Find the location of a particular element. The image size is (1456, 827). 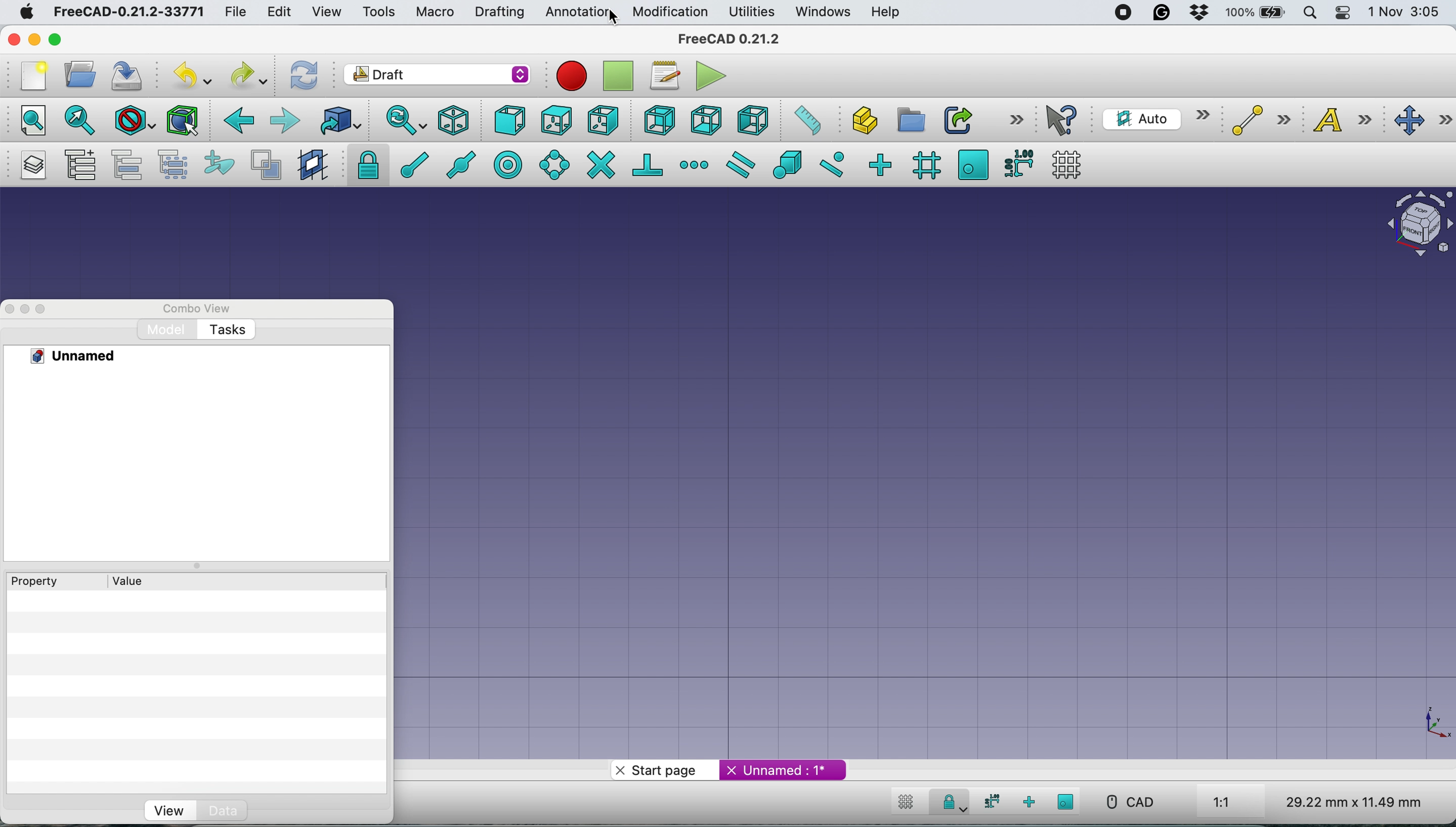

rear is located at coordinates (658, 120).